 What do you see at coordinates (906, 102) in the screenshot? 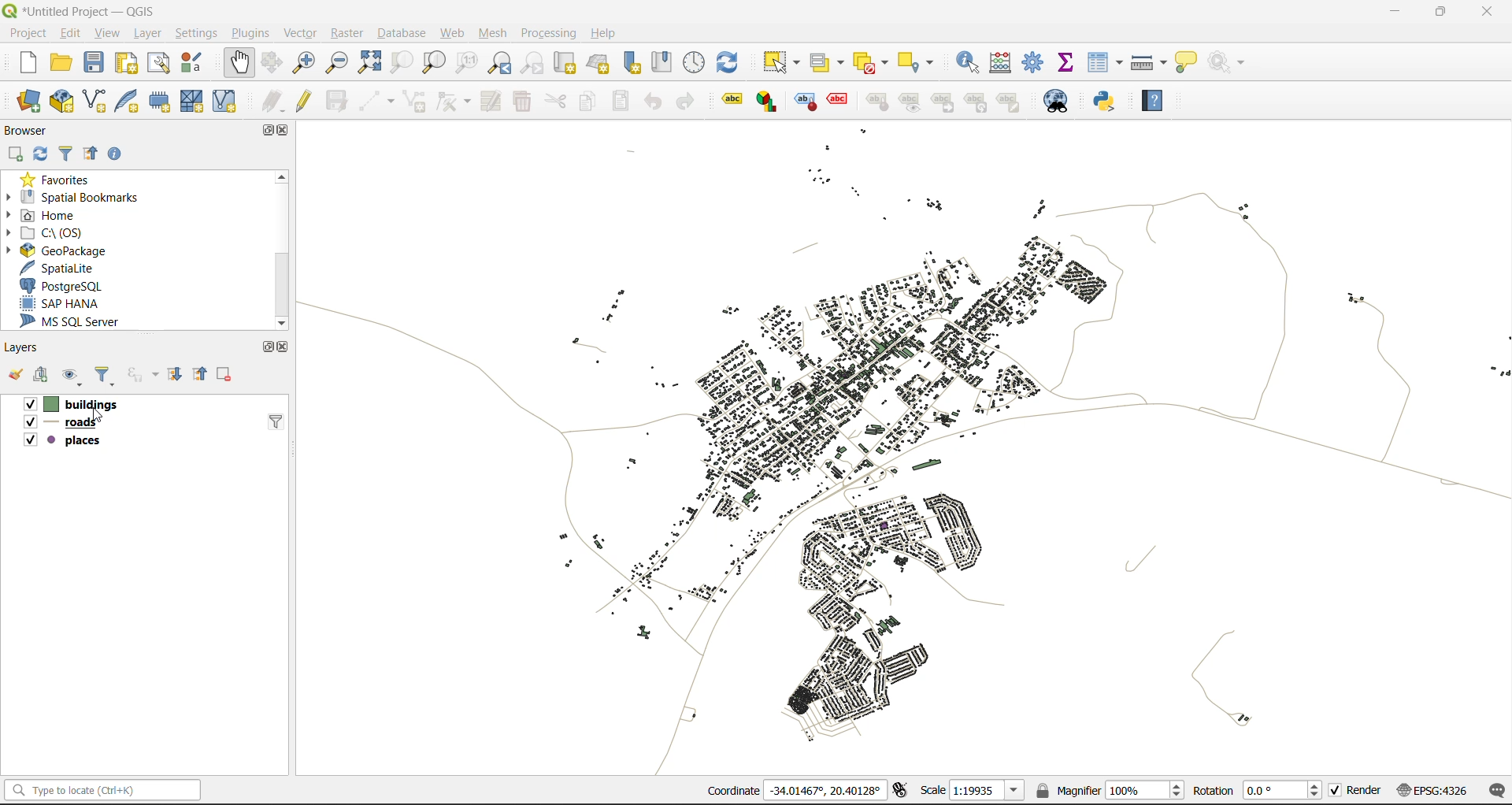
I see `show hide labels and diagrams` at bounding box center [906, 102].